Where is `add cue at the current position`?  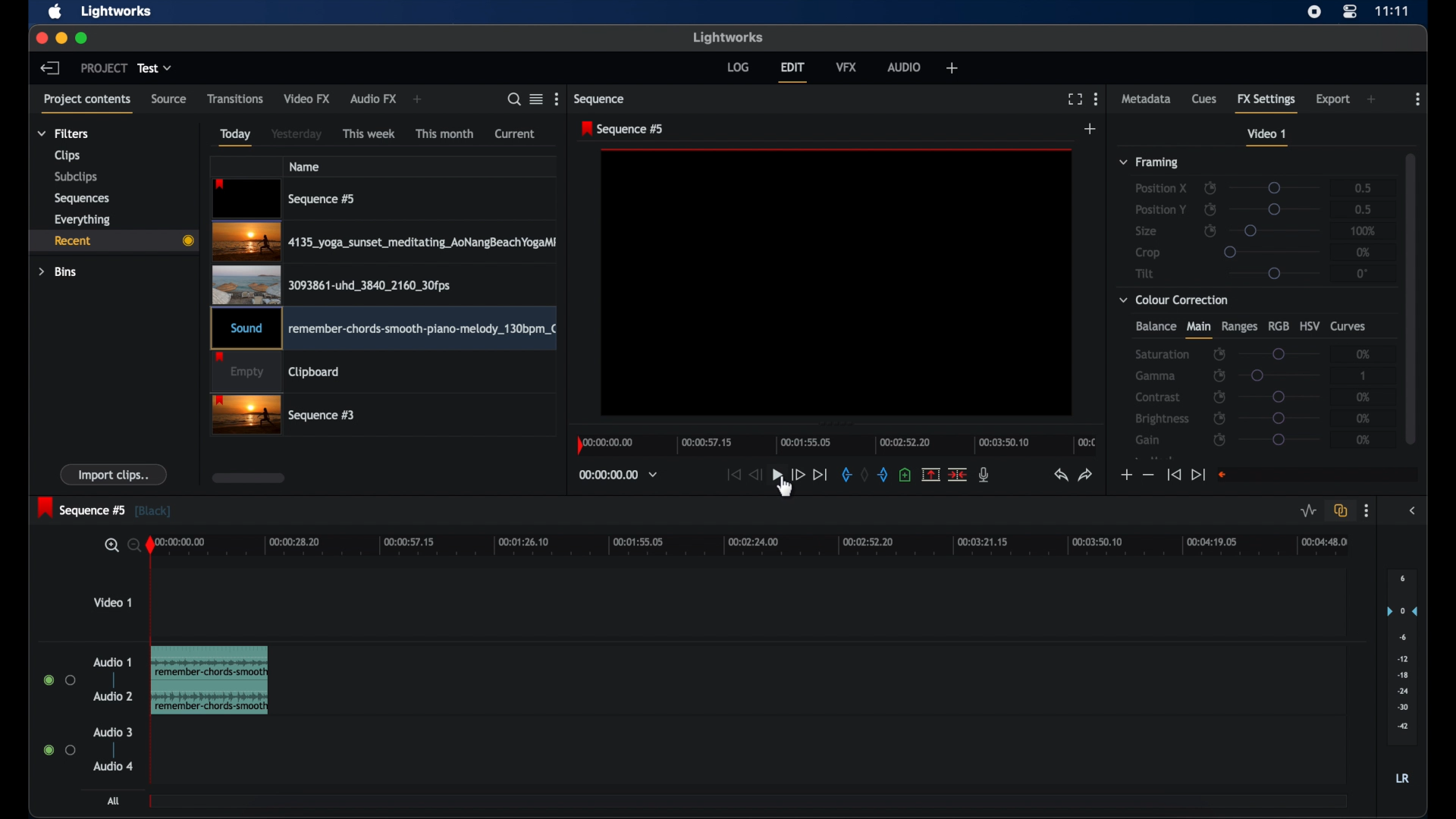 add cue at the current position is located at coordinates (905, 474).